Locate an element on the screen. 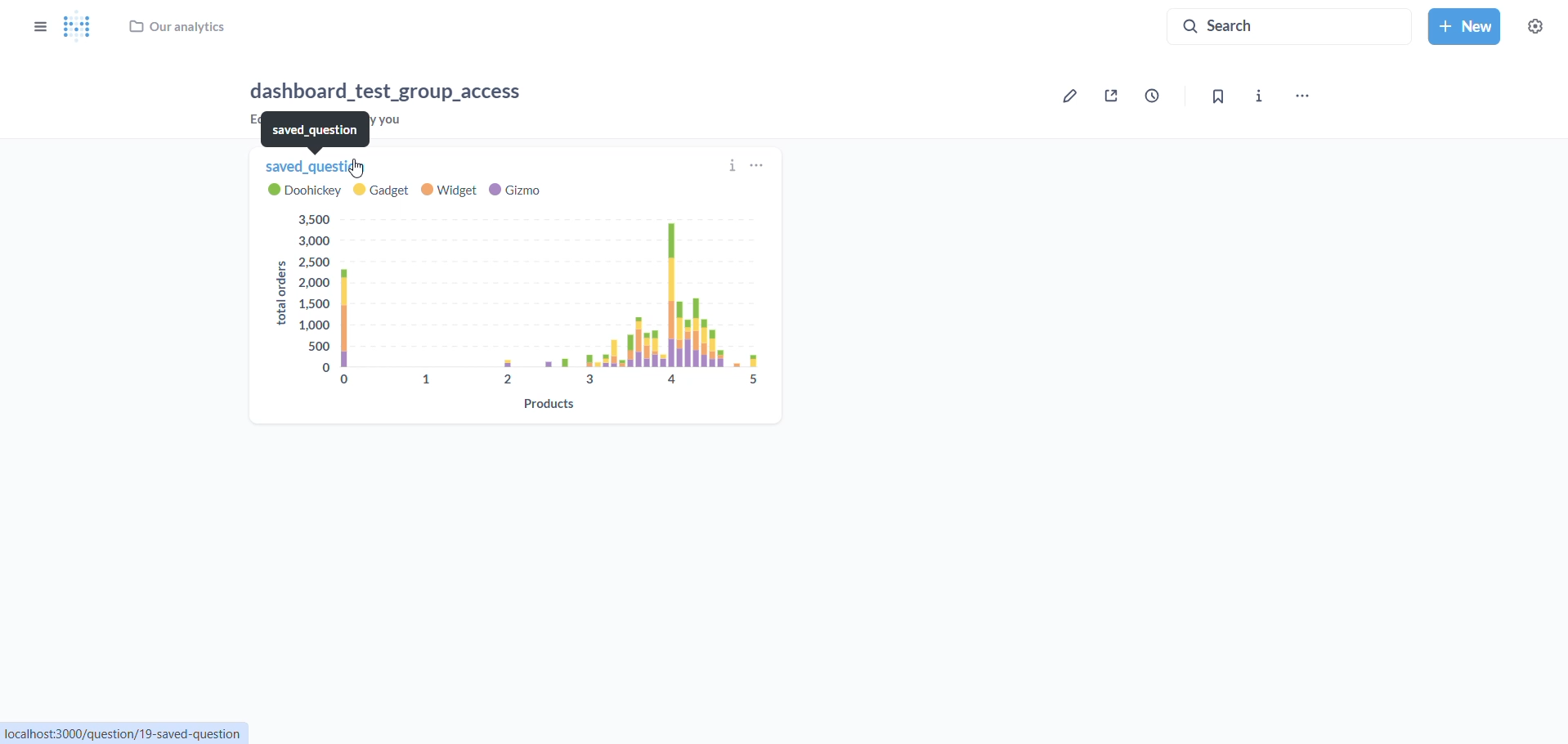 The image size is (1568, 744). share is located at coordinates (1107, 100).